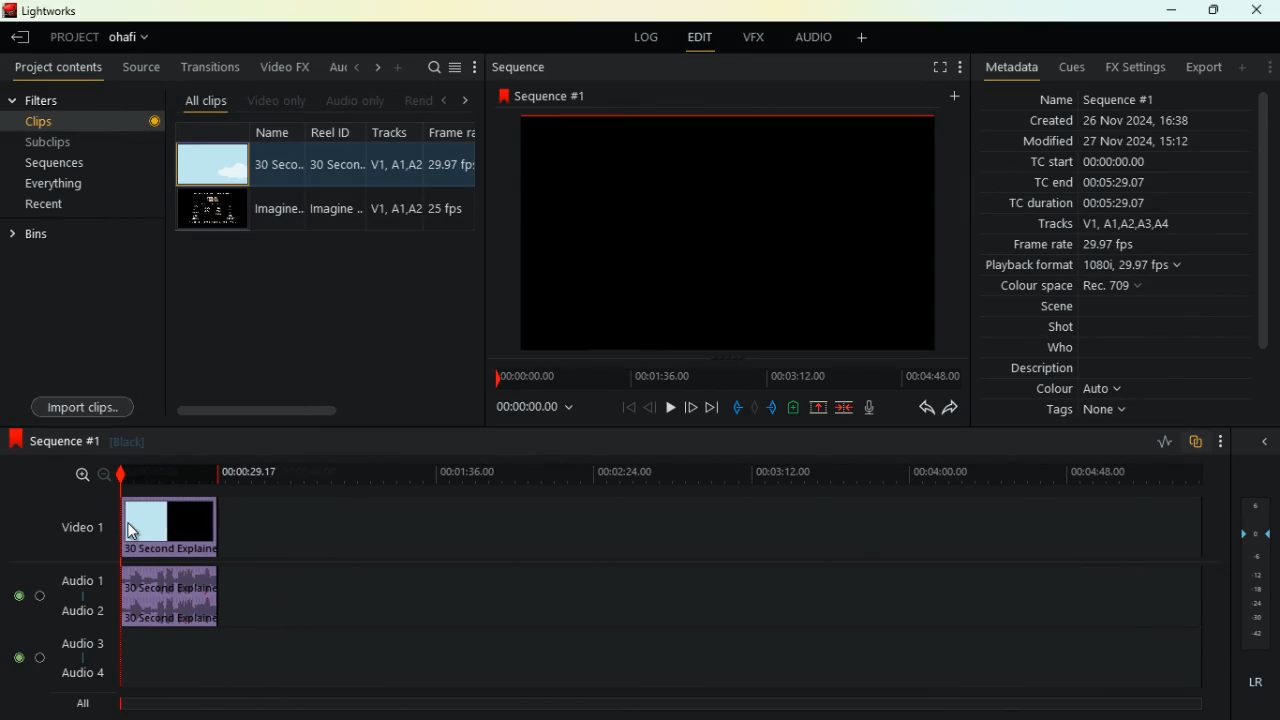 This screenshot has height=720, width=1280. Describe the element at coordinates (463, 98) in the screenshot. I see `right` at that location.